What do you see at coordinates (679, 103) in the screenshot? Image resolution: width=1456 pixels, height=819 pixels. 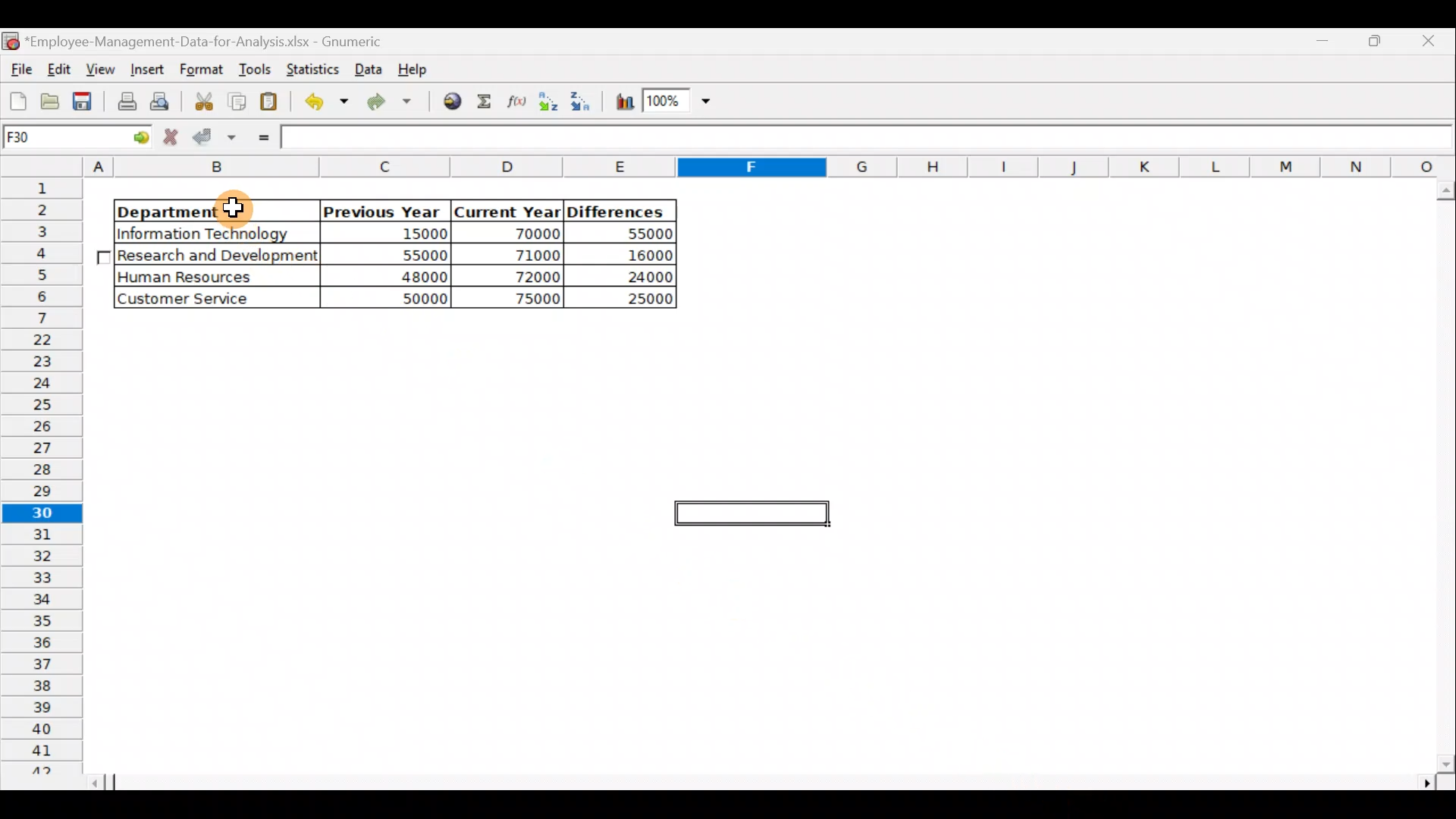 I see `Zoom` at bounding box center [679, 103].